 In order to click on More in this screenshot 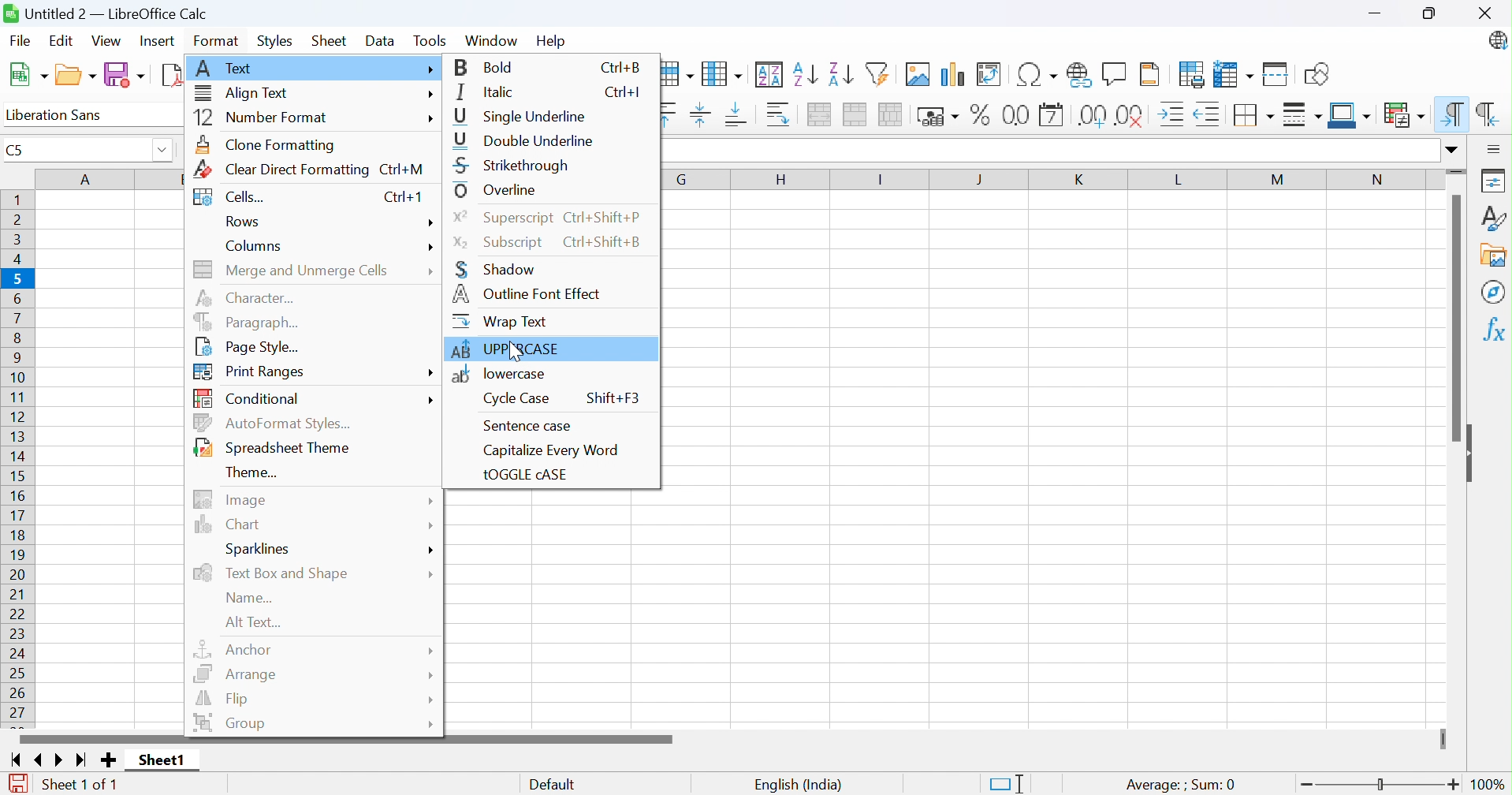, I will do `click(430, 248)`.